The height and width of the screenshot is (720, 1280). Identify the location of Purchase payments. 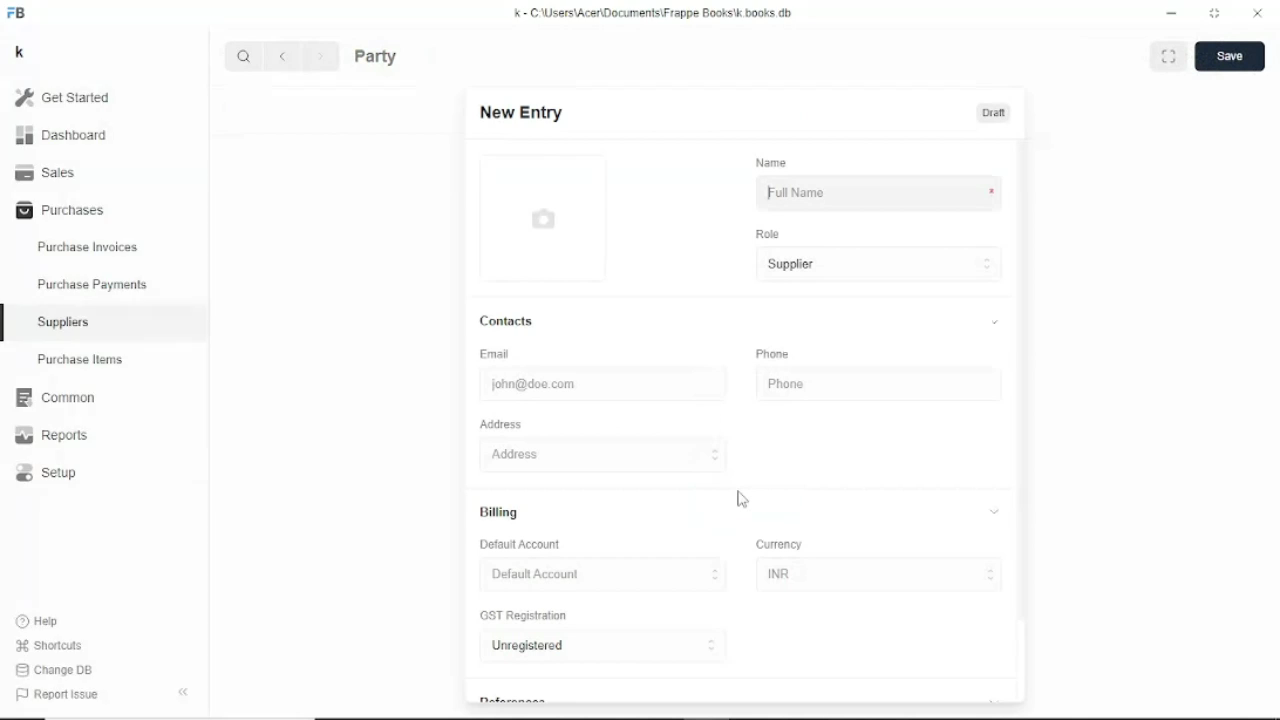
(92, 284).